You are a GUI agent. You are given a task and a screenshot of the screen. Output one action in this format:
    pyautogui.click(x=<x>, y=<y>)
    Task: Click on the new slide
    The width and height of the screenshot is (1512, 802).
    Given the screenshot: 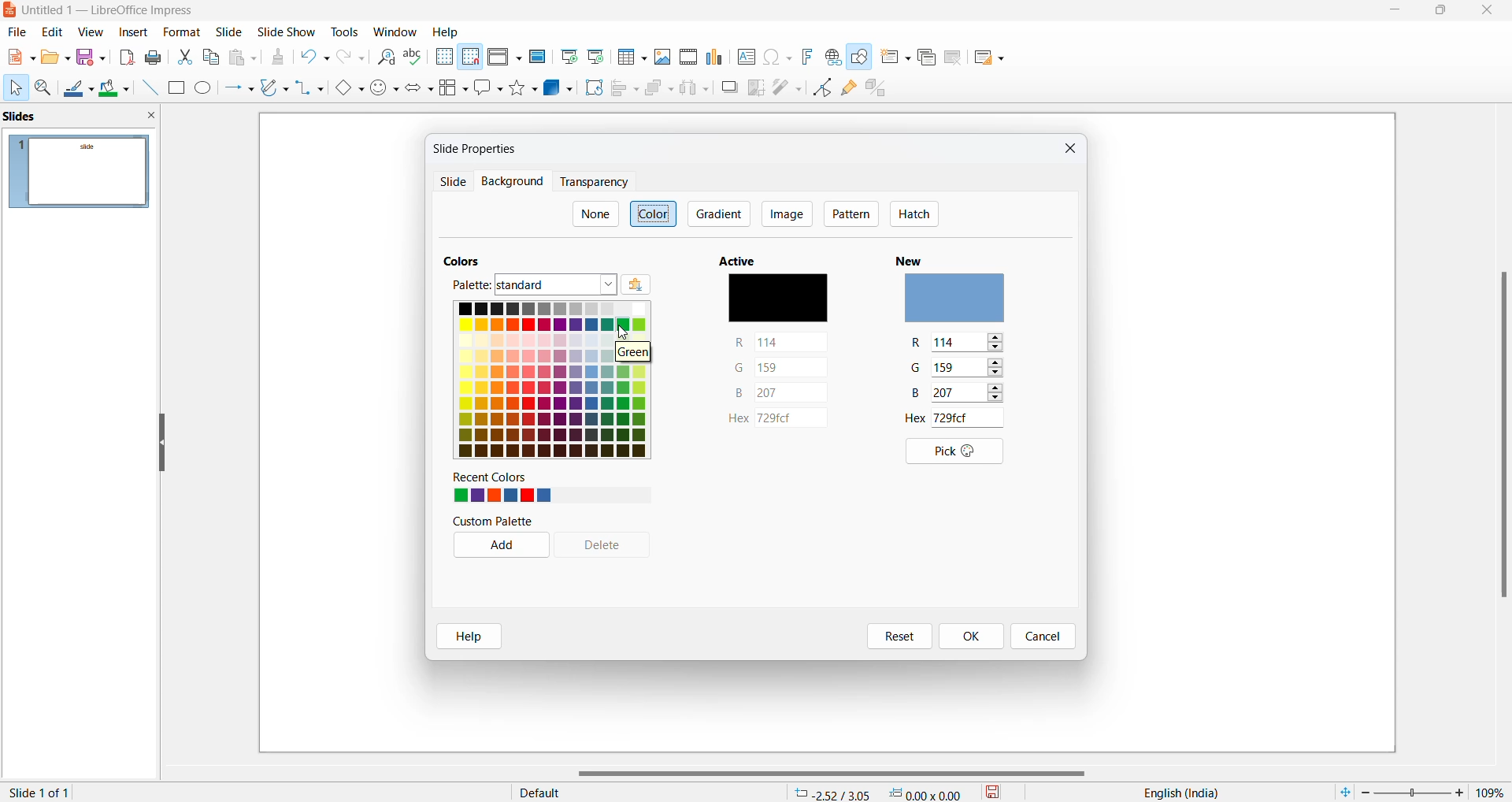 What is the action you would take?
    pyautogui.click(x=895, y=61)
    